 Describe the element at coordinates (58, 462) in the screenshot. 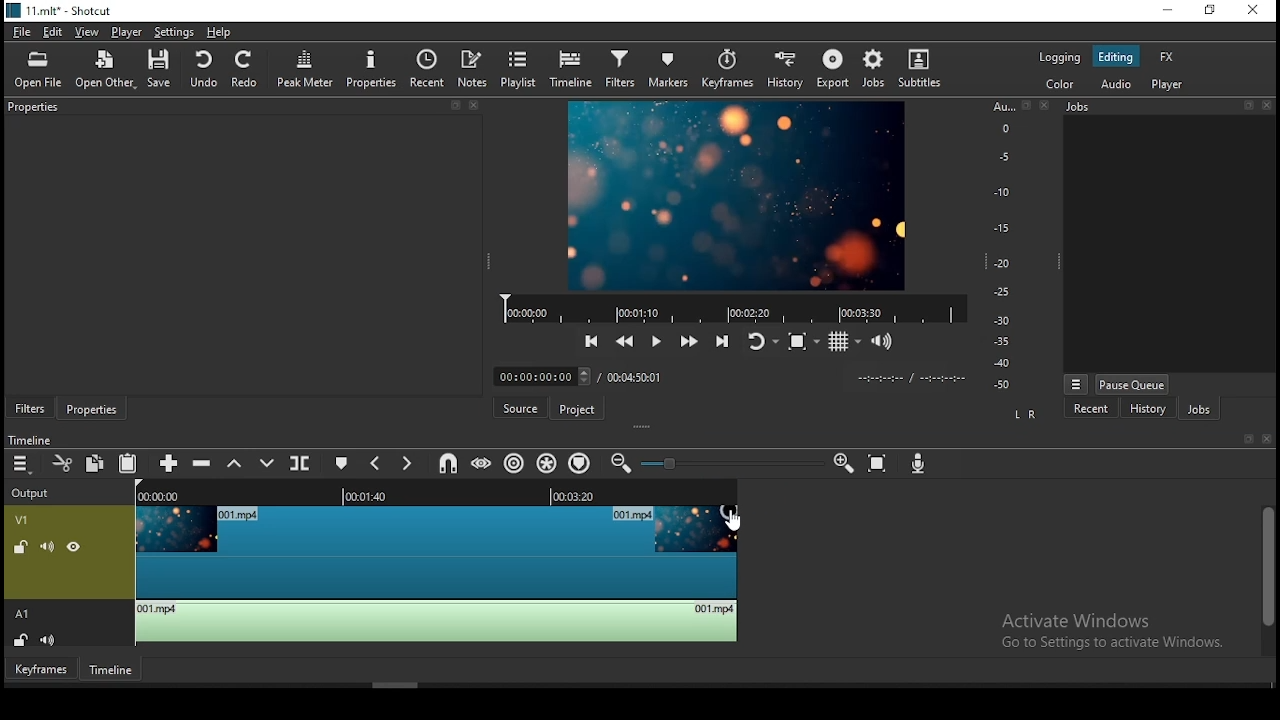

I see `cut` at that location.